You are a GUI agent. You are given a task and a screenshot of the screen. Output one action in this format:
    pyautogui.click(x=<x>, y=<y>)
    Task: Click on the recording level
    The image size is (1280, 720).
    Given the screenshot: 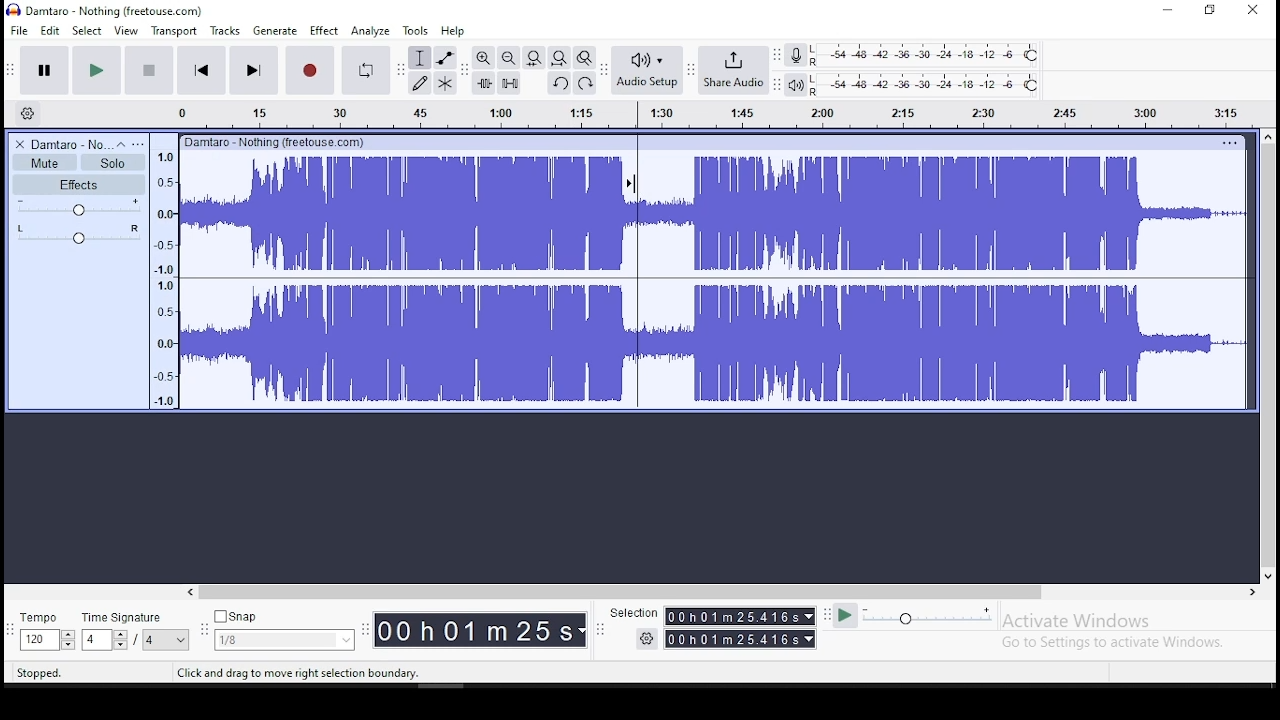 What is the action you would take?
    pyautogui.click(x=924, y=56)
    